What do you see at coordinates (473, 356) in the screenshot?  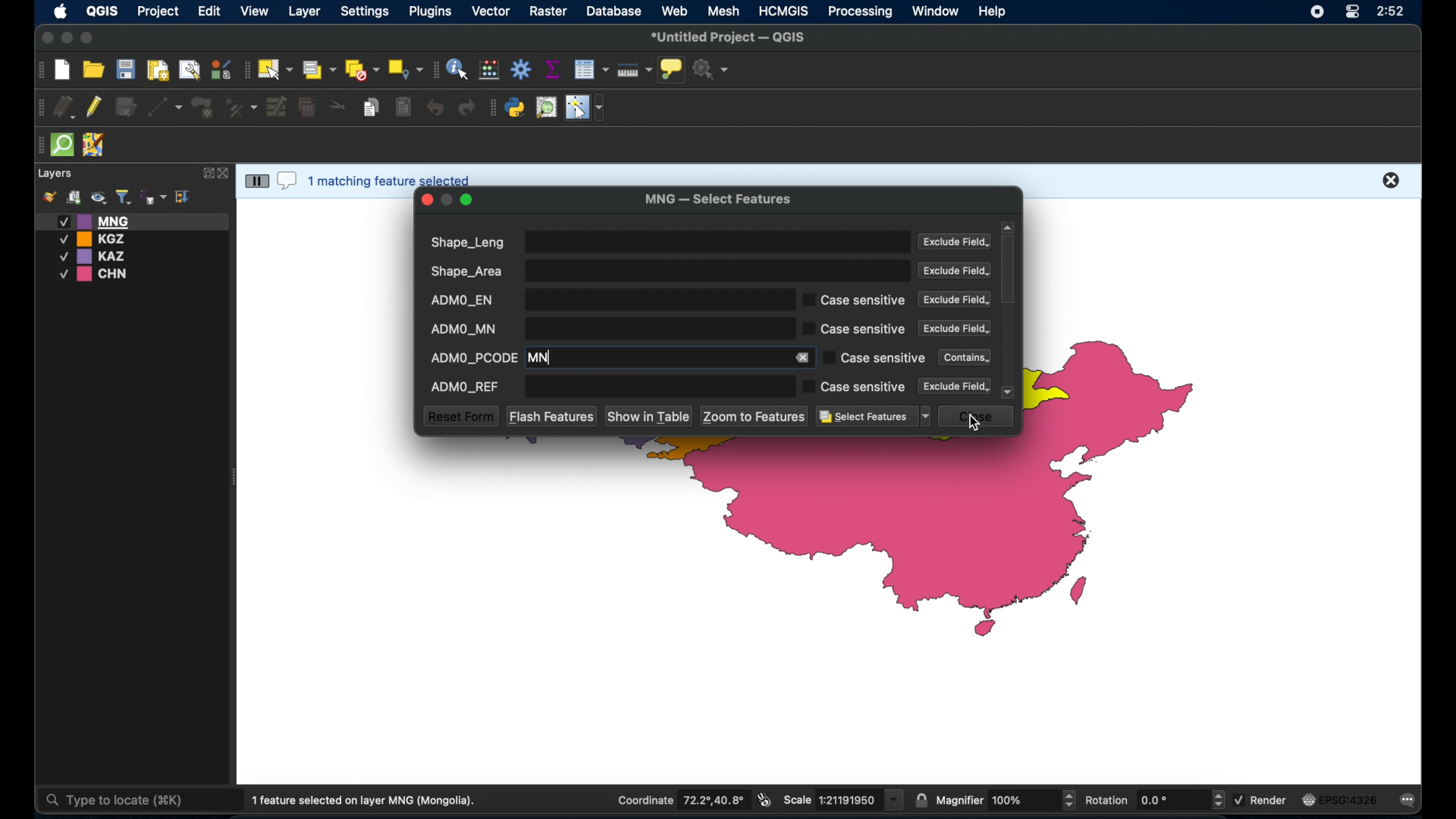 I see `ADMO_PCODE` at bounding box center [473, 356].